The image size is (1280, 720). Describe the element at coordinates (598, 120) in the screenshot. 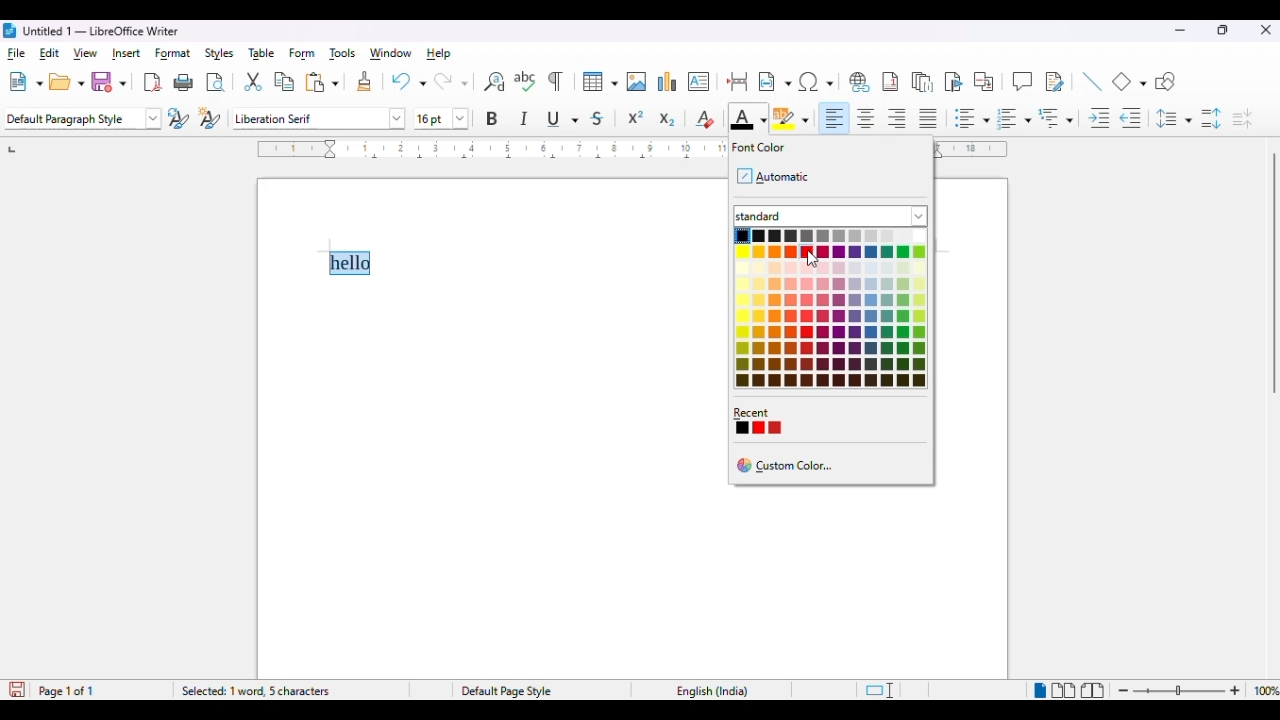

I see `strikethrough` at that location.